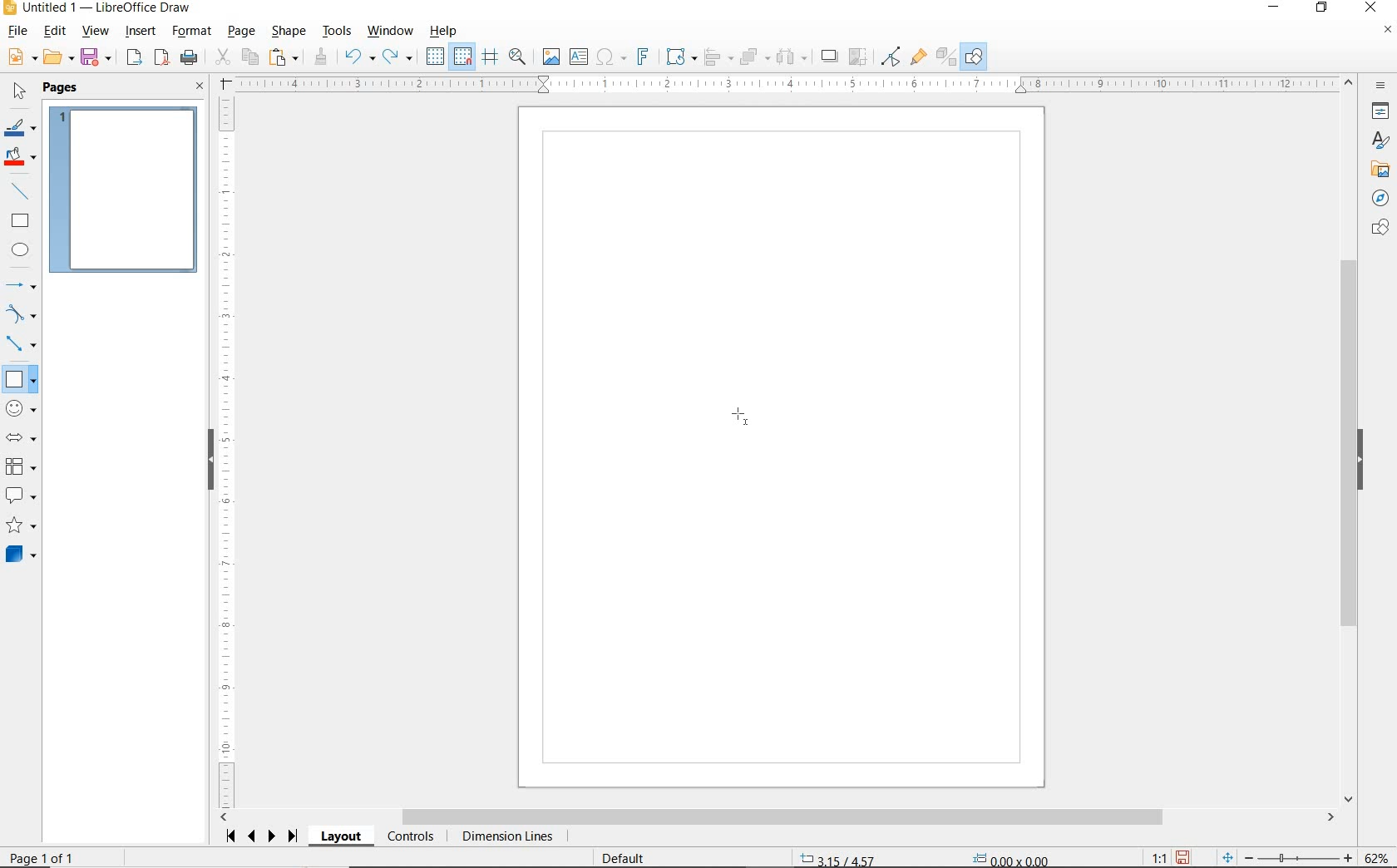 The image size is (1397, 868). Describe the element at coordinates (437, 57) in the screenshot. I see `DISPLAY GRID` at that location.